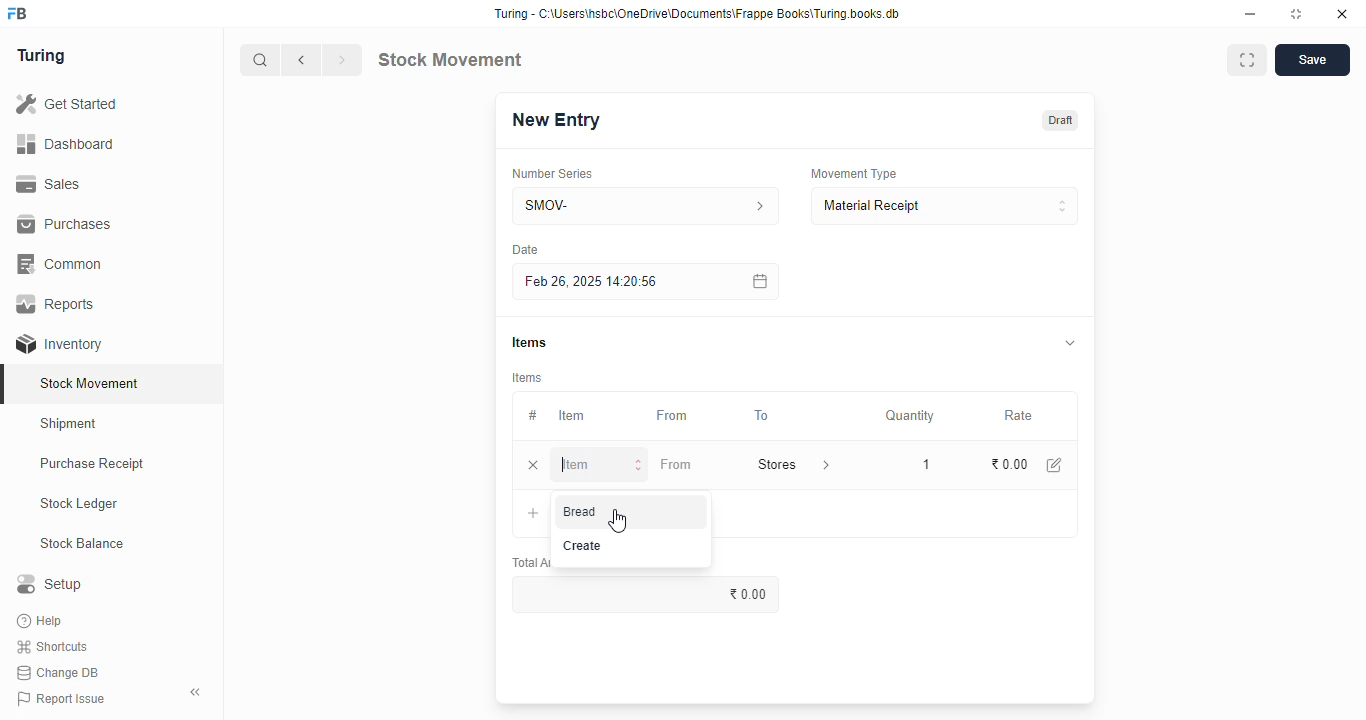  Describe the element at coordinates (69, 424) in the screenshot. I see `shipment` at that location.